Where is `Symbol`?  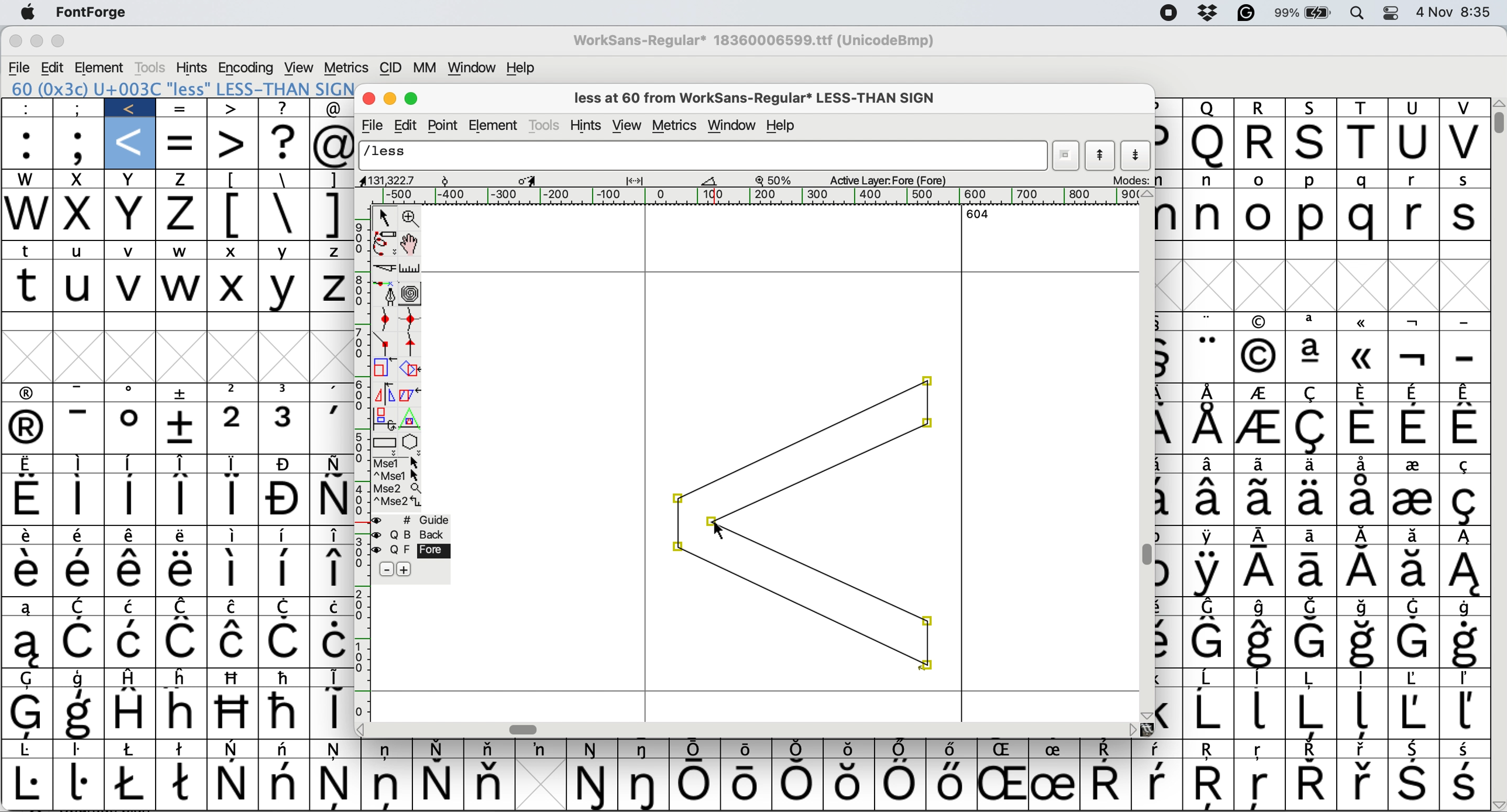
Symbol is located at coordinates (176, 570).